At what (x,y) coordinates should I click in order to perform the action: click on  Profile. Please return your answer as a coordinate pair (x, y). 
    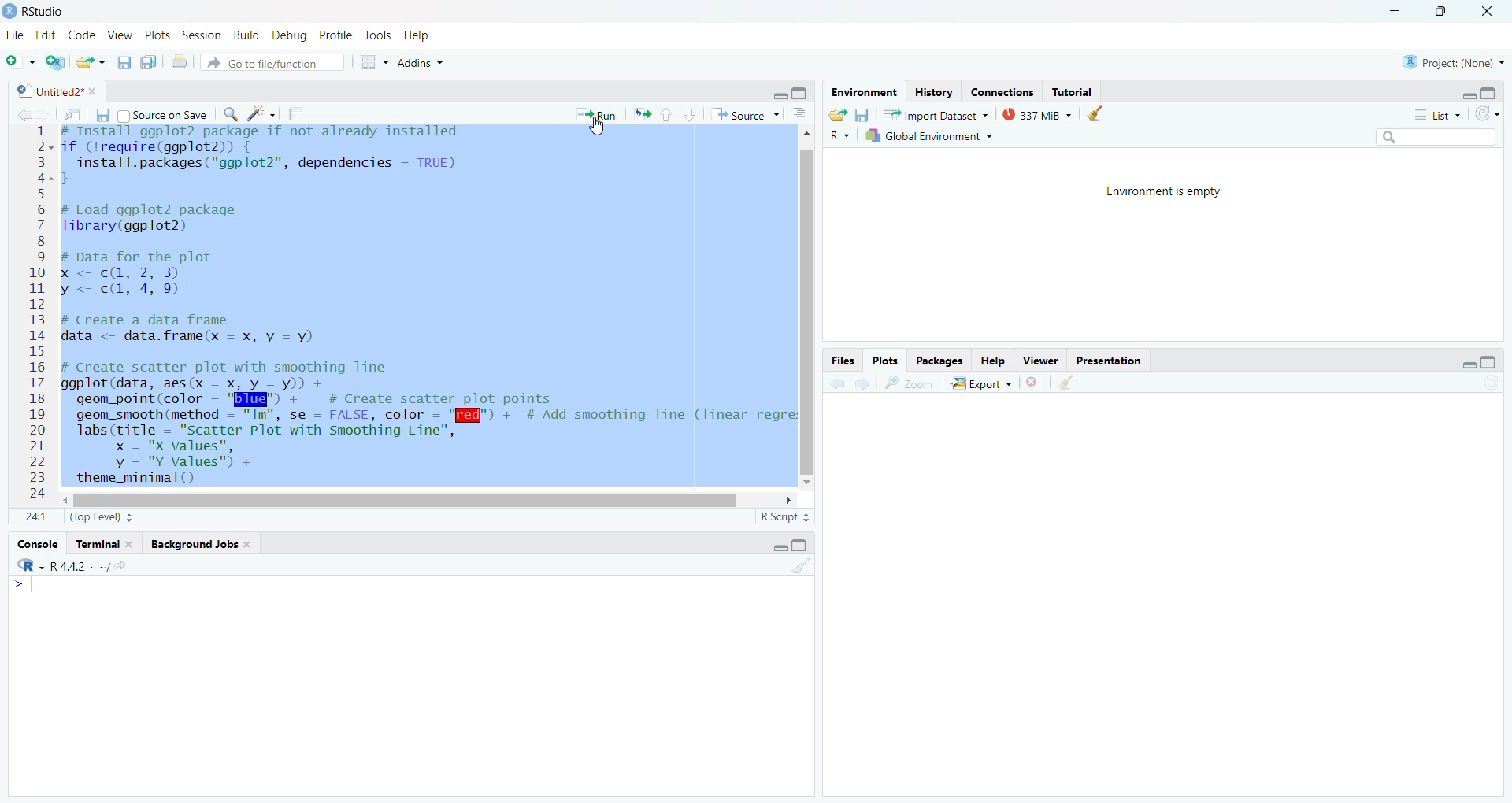
    Looking at the image, I should click on (334, 35).